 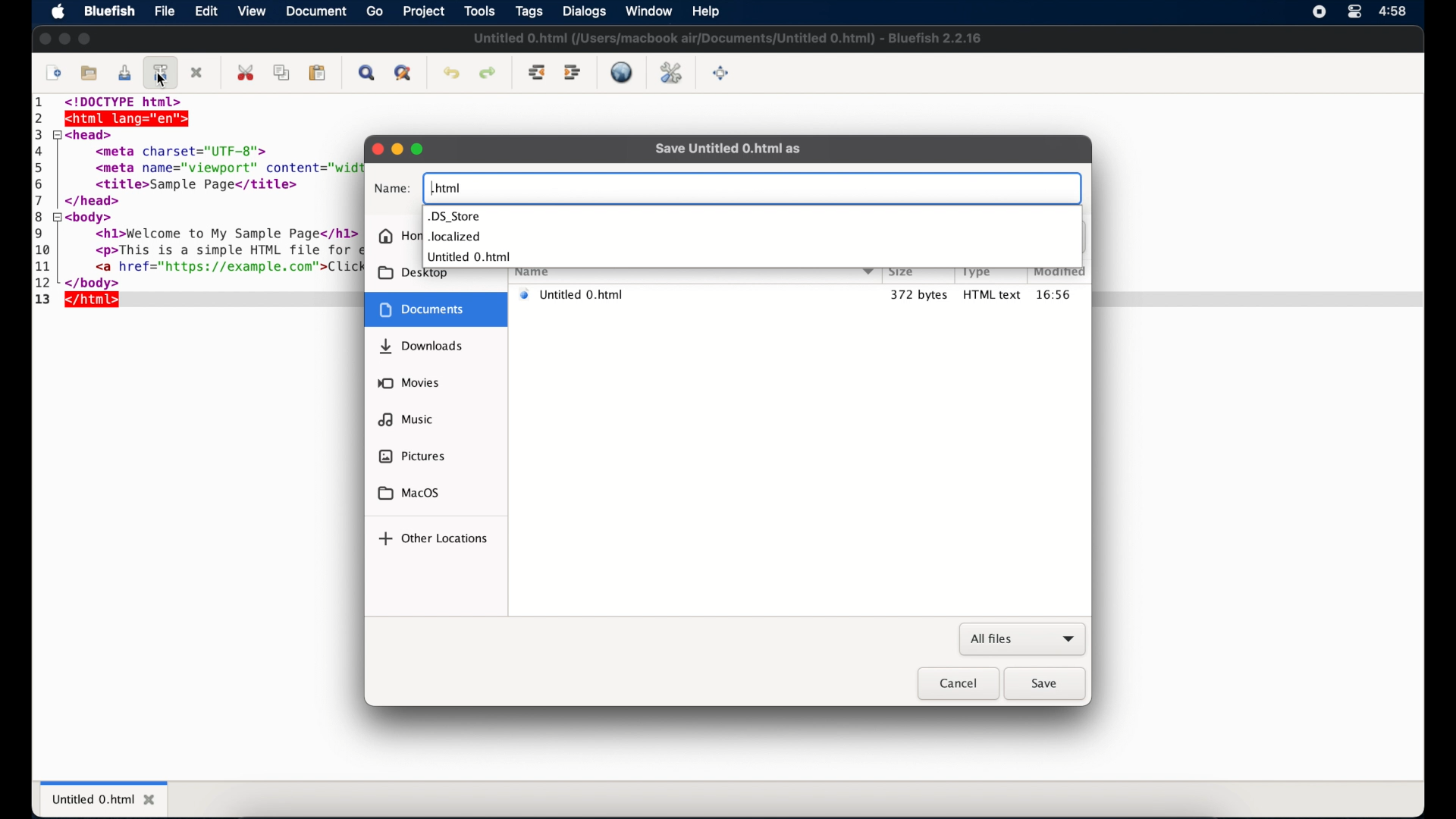 What do you see at coordinates (421, 347) in the screenshot?
I see `downloads` at bounding box center [421, 347].